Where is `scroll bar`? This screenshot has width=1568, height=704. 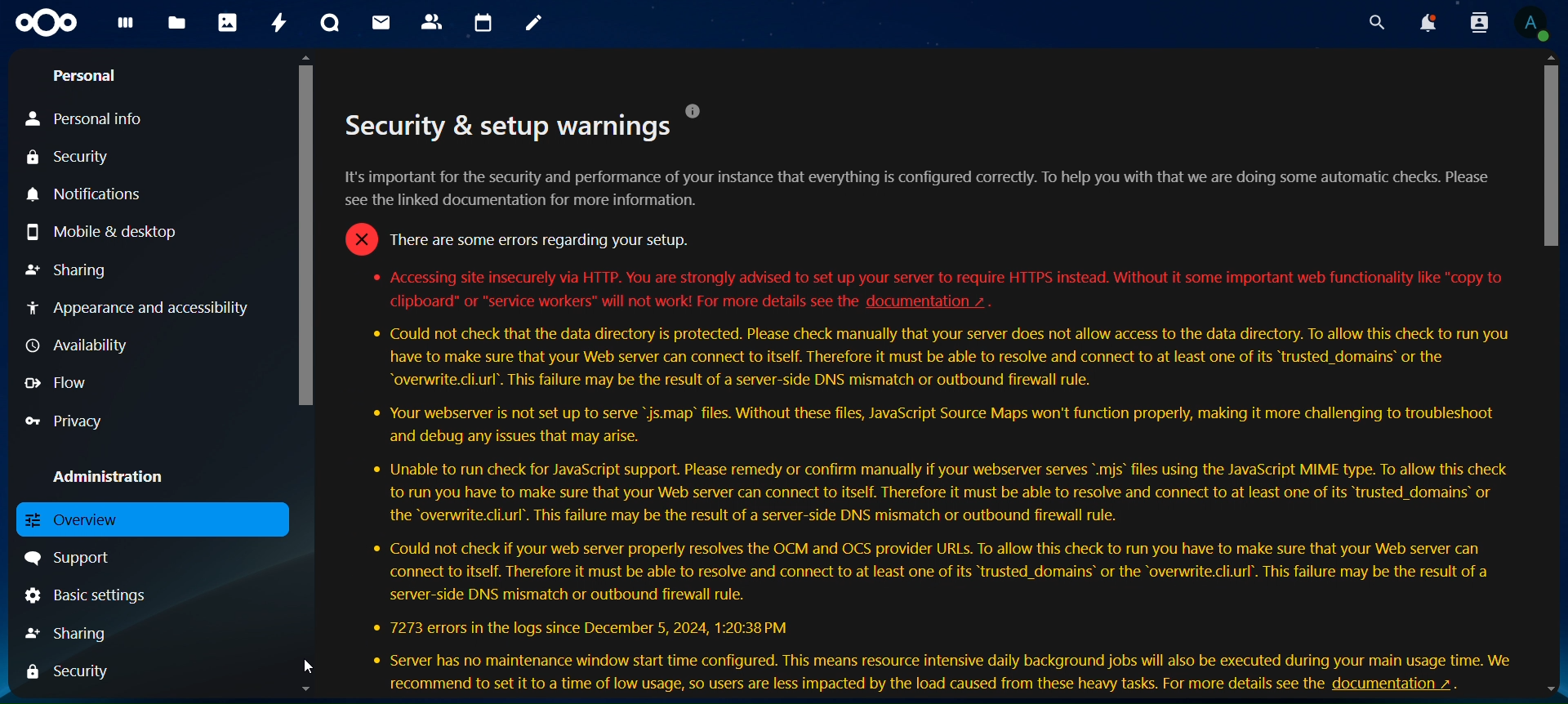 scroll bar is located at coordinates (302, 237).